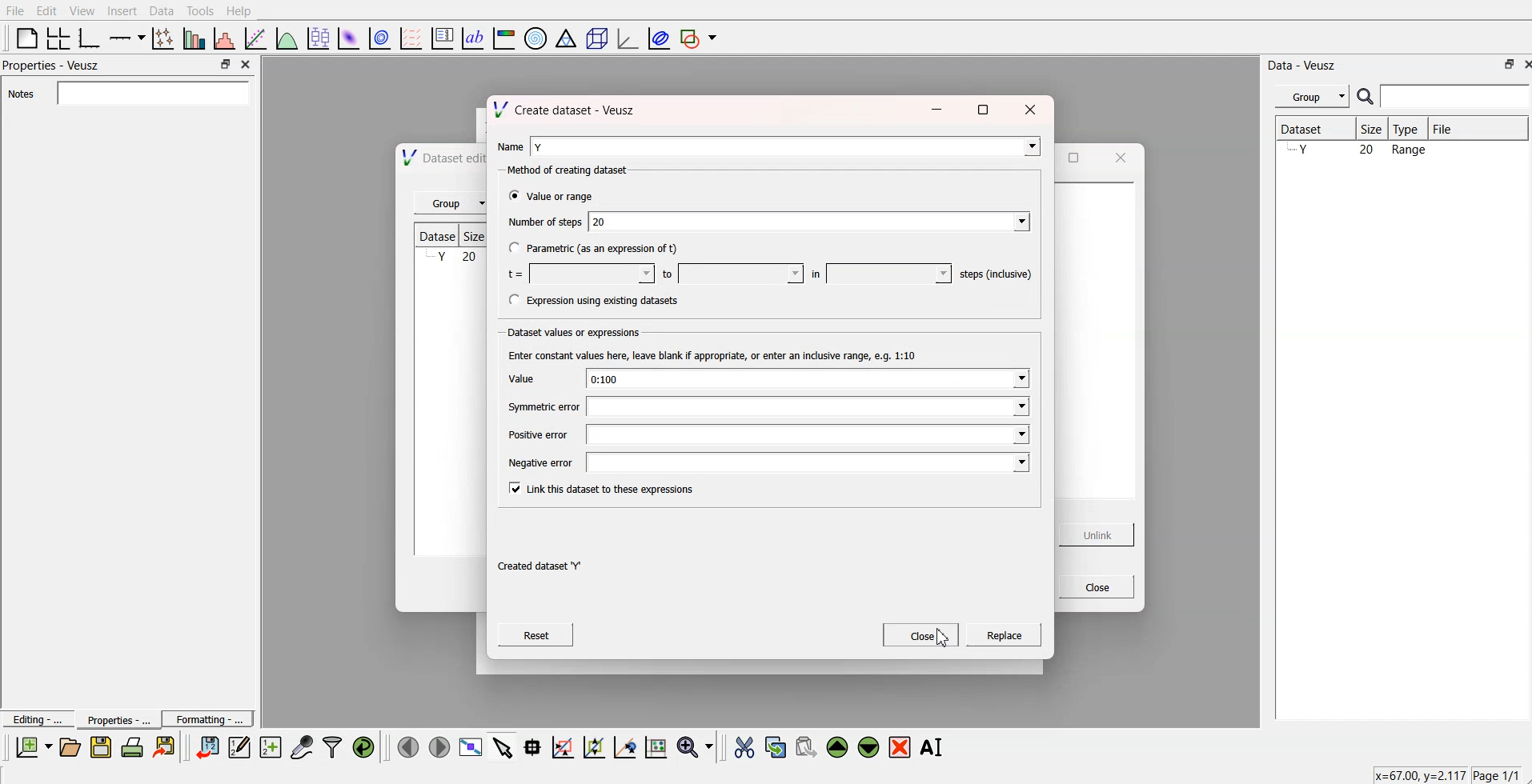 This screenshot has height=784, width=1532. Describe the element at coordinates (1312, 129) in the screenshot. I see `Dataset` at that location.